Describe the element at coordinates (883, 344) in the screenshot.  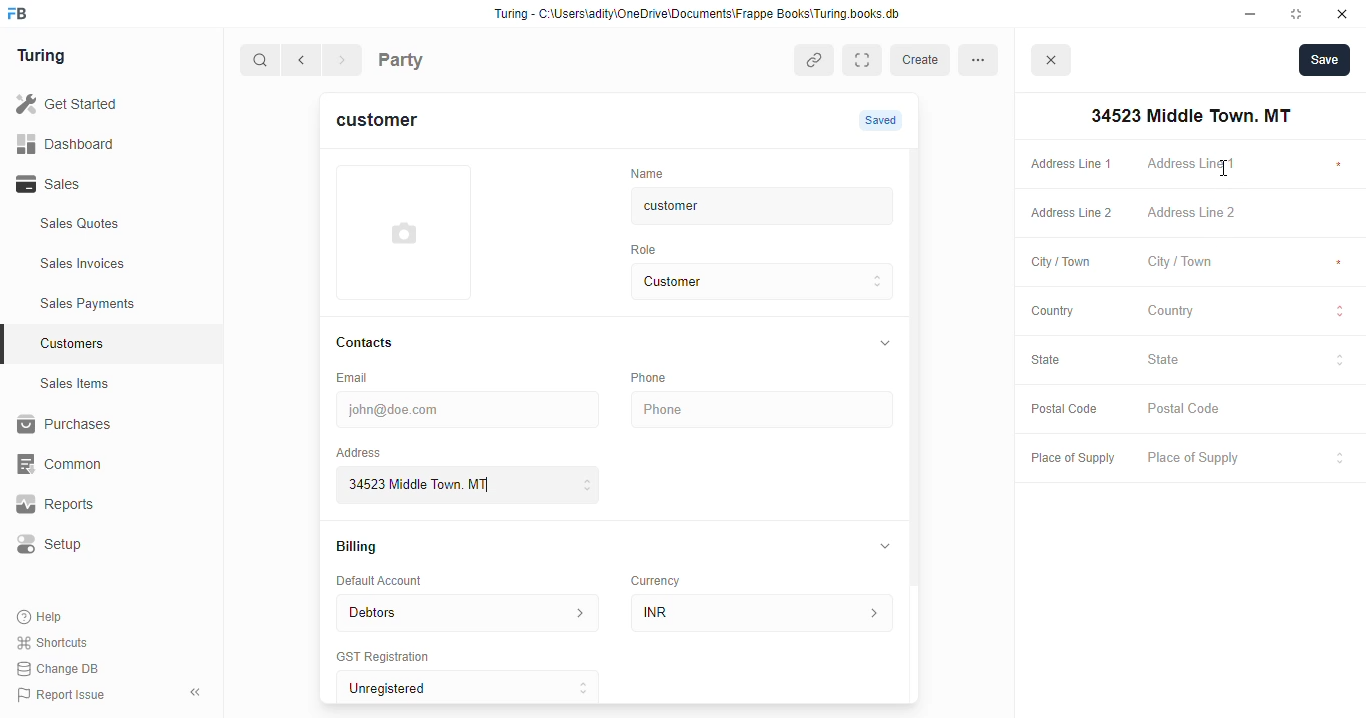
I see `collapse` at that location.